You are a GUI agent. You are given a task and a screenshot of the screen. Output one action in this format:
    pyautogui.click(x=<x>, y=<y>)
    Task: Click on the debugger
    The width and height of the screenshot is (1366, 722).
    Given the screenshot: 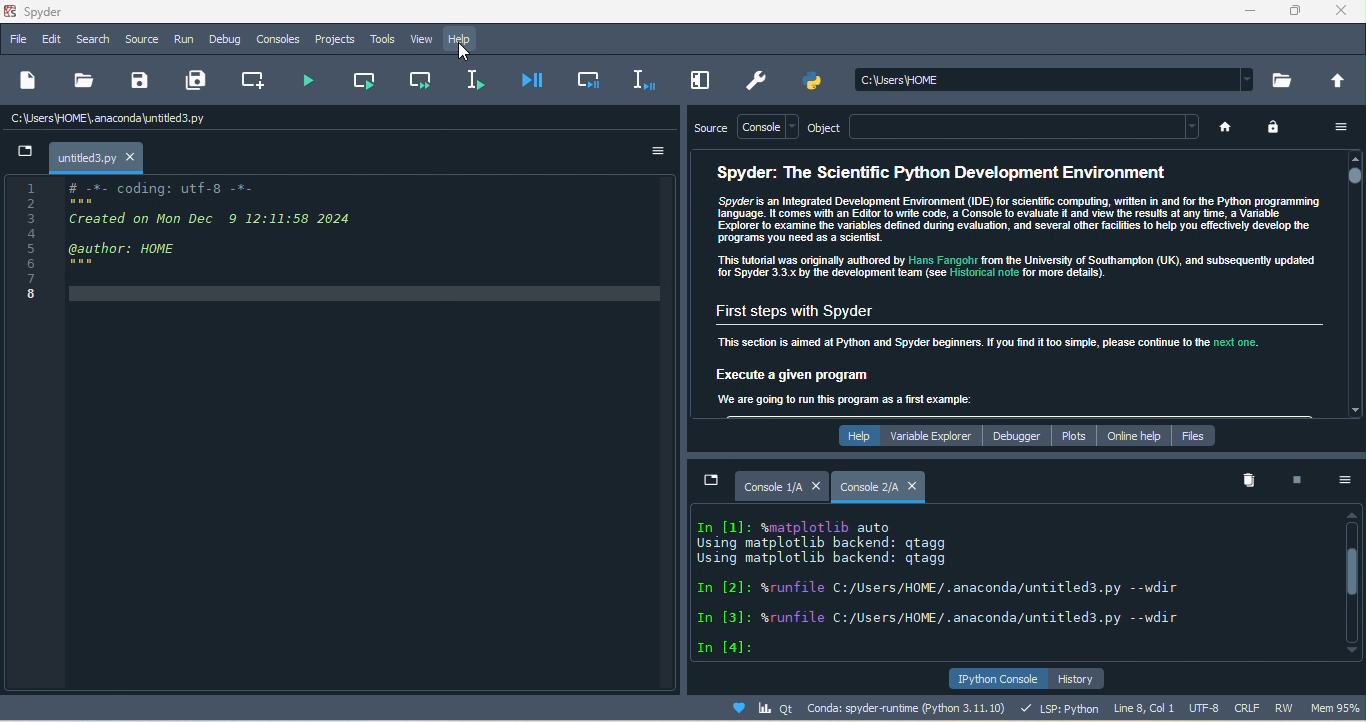 What is the action you would take?
    pyautogui.click(x=1019, y=435)
    